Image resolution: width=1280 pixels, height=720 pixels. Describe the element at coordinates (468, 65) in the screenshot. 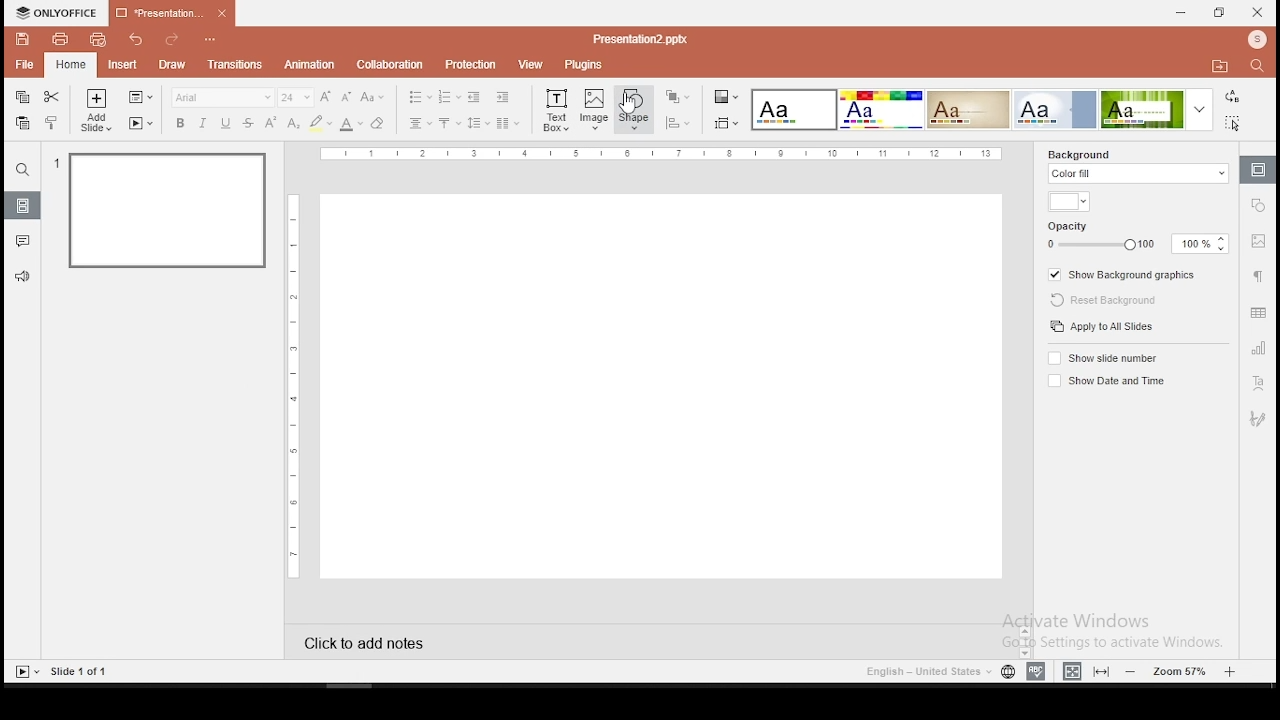

I see `protection` at that location.